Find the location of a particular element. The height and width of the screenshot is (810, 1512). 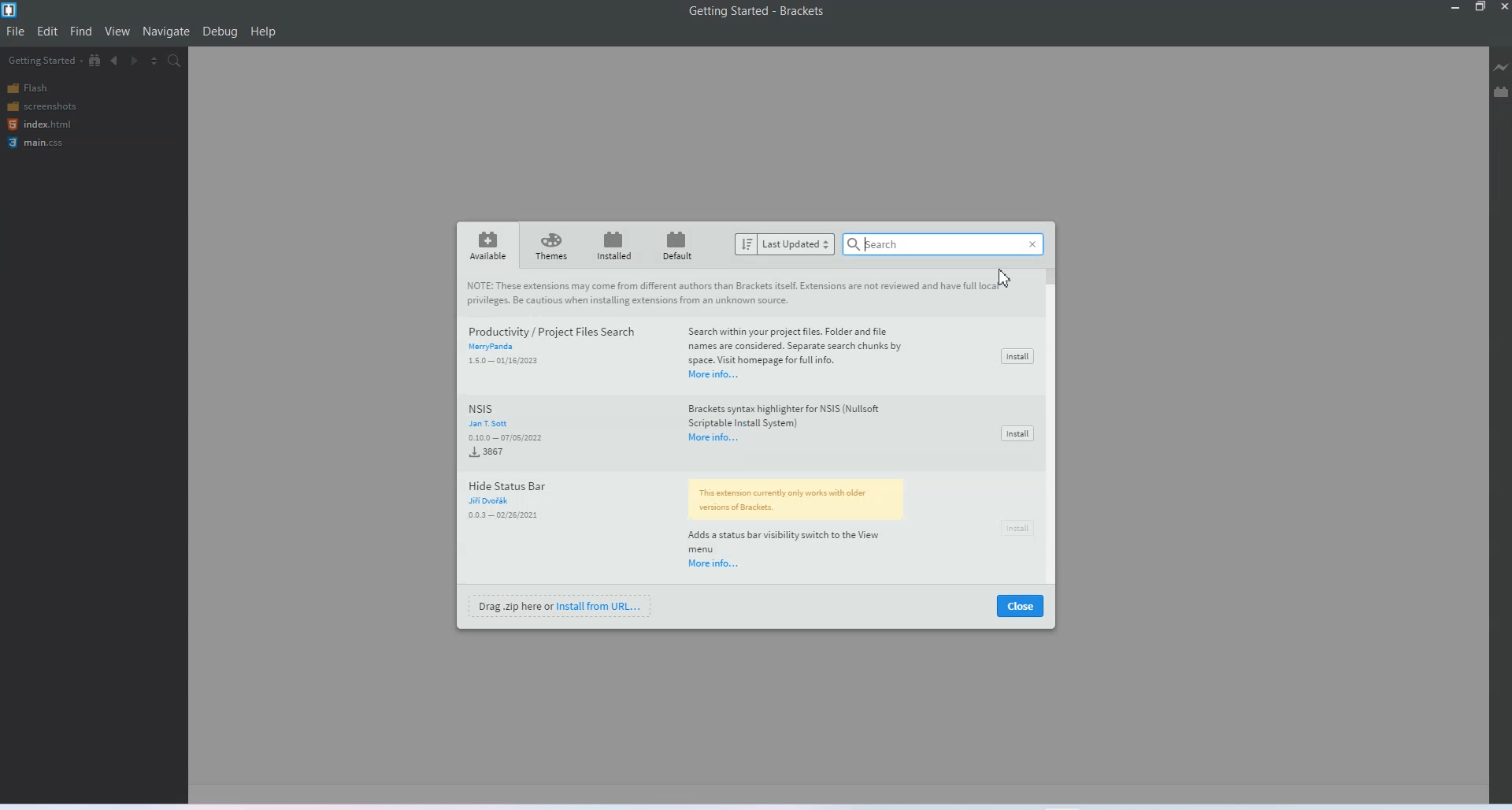

Sort by is located at coordinates (785, 243).